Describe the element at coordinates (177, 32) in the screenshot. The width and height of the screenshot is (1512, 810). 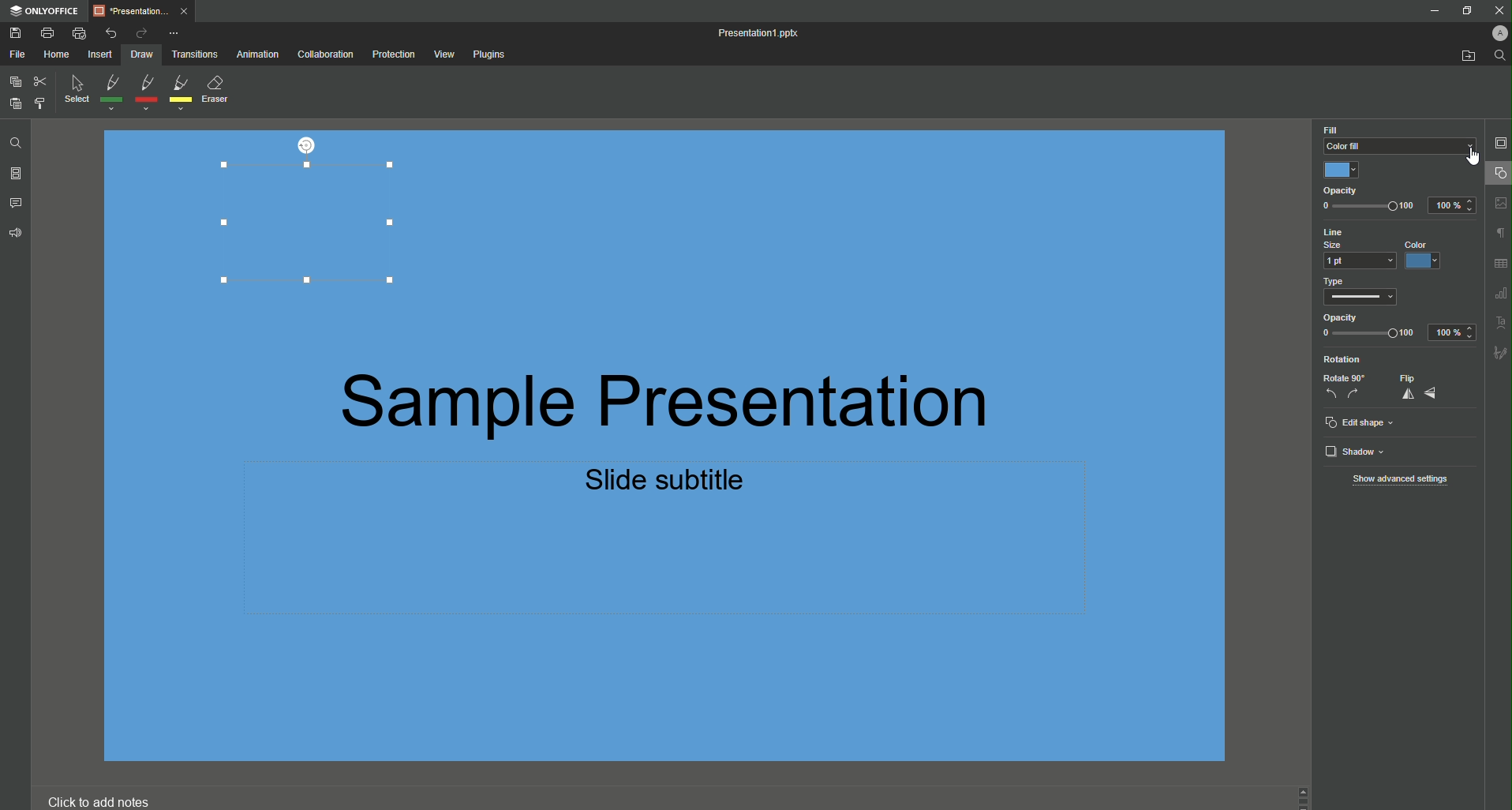
I see `More Options` at that location.